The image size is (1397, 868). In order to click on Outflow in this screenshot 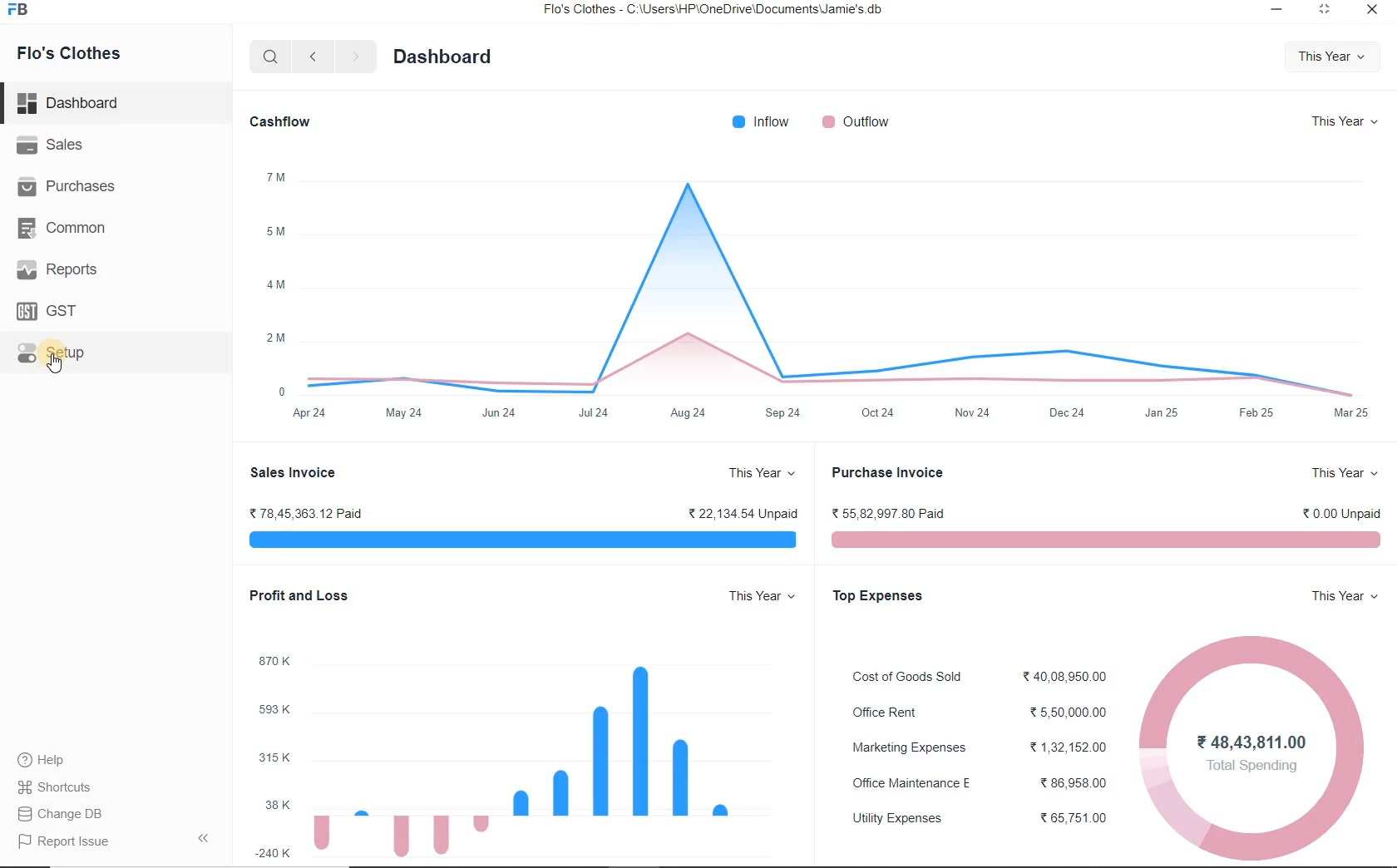, I will do `click(859, 121)`.